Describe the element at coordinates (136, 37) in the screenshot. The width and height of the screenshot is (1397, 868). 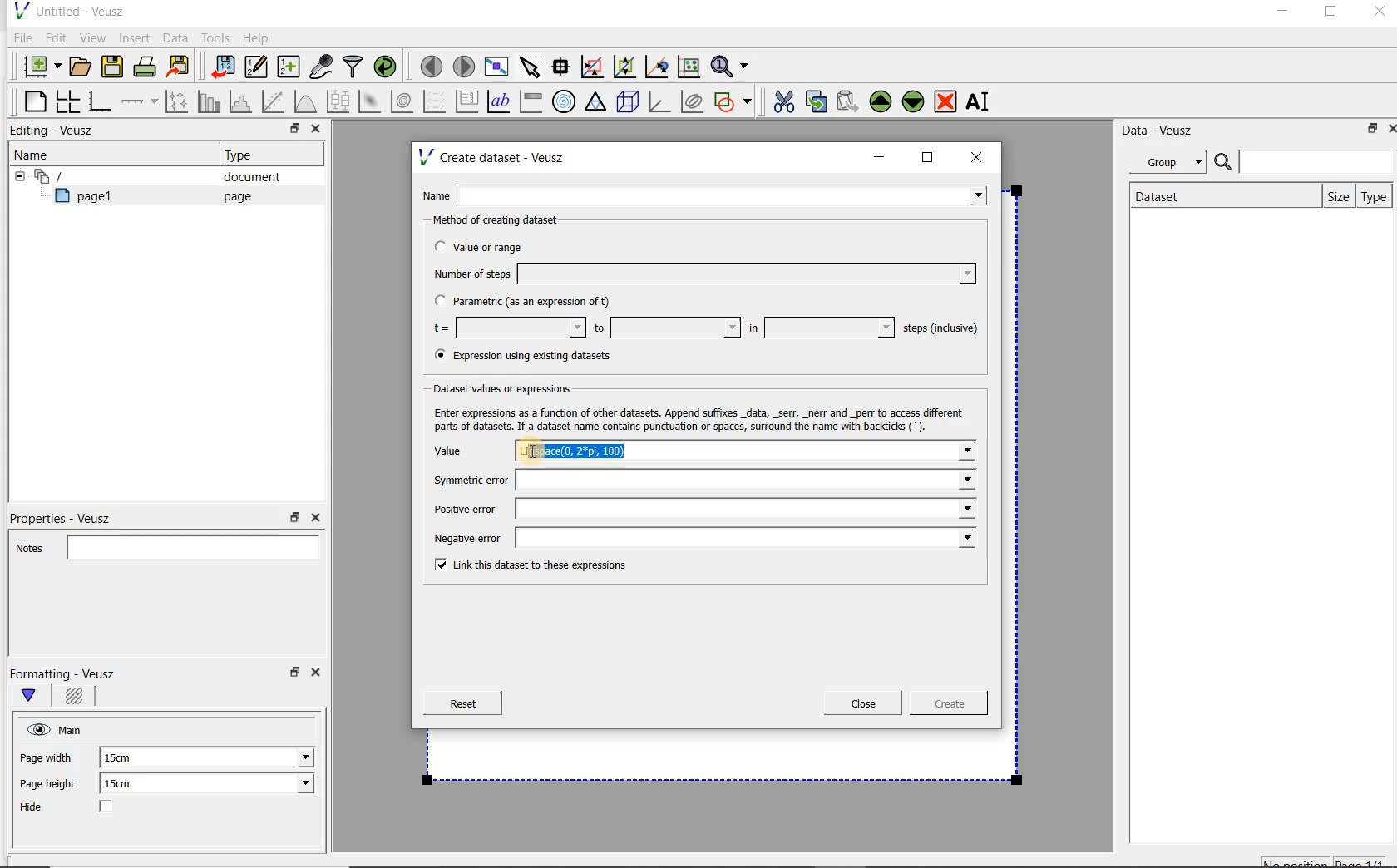
I see `Insert` at that location.